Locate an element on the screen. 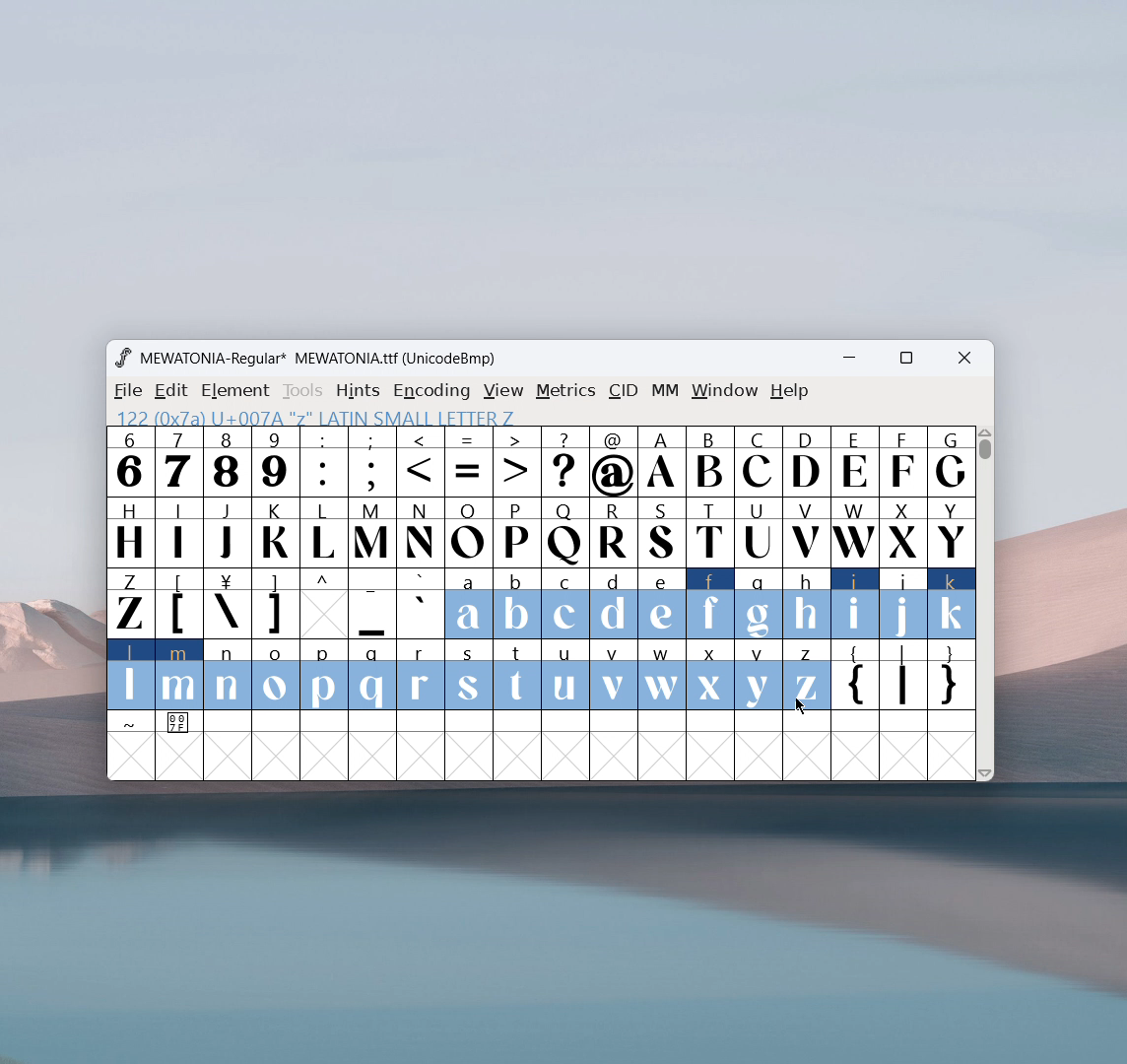 This screenshot has height=1064, width=1127. MM is located at coordinates (666, 392).